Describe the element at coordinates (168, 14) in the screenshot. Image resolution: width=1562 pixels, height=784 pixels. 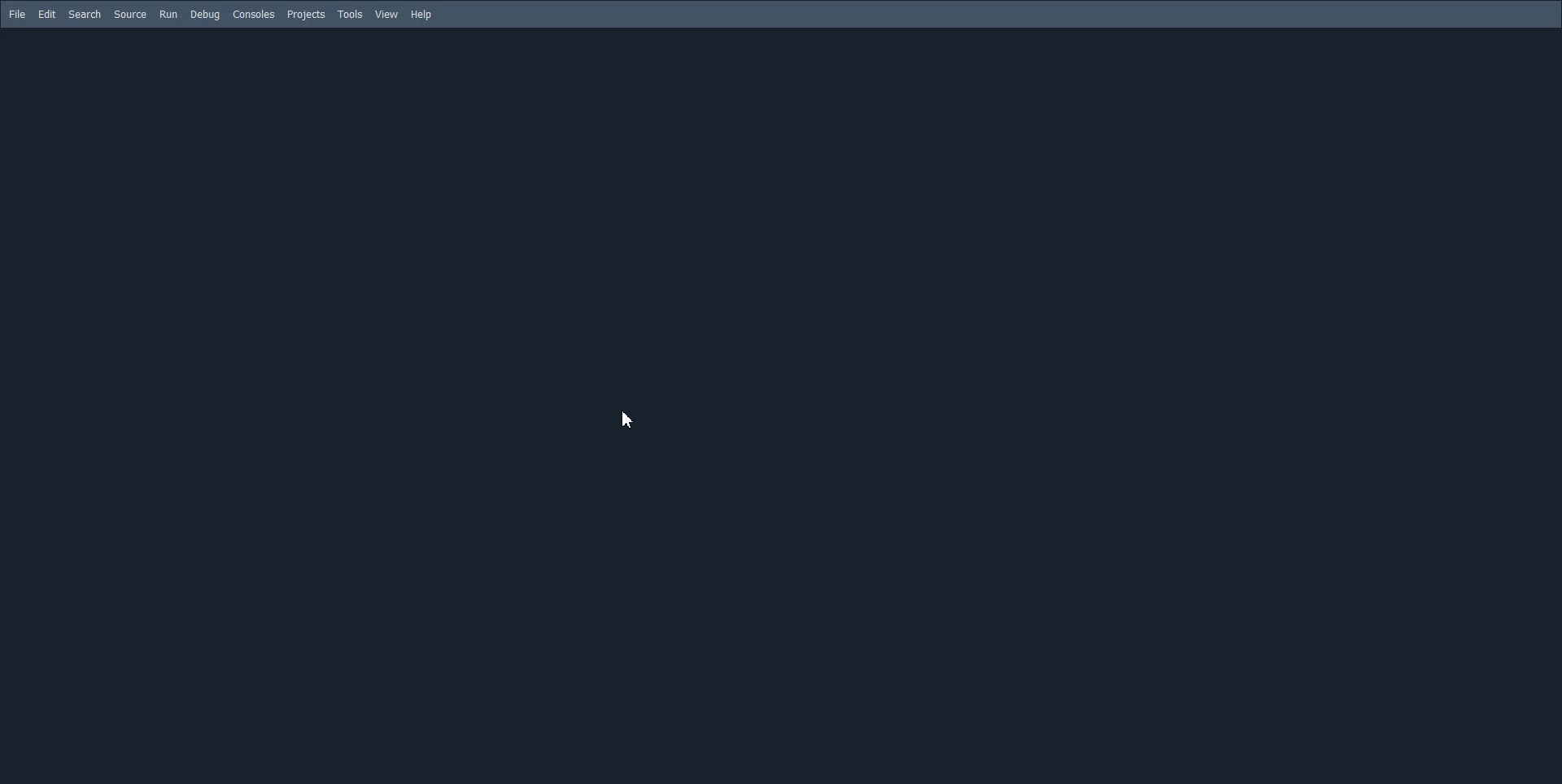
I see `Run` at that location.